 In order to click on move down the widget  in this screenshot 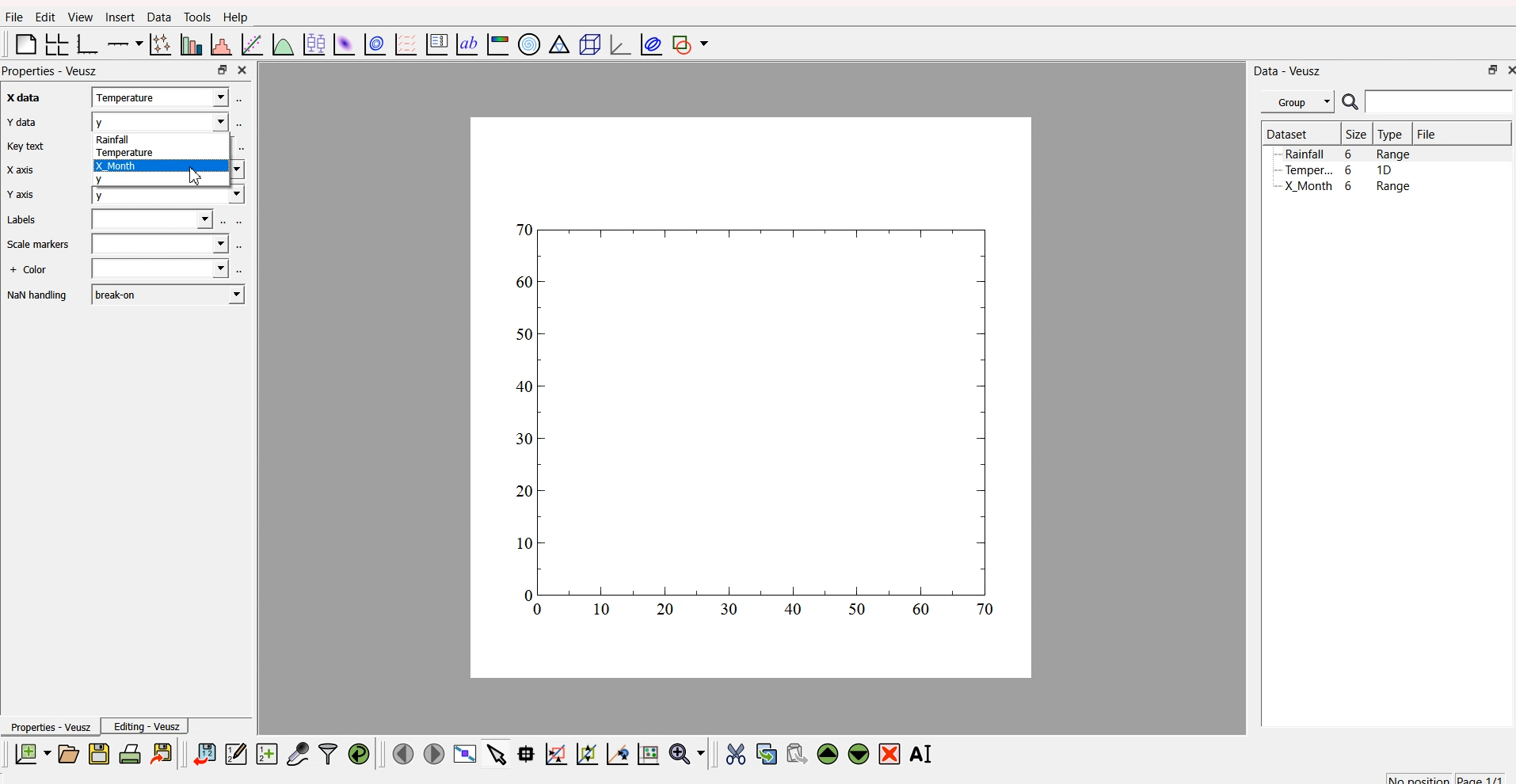, I will do `click(856, 755)`.